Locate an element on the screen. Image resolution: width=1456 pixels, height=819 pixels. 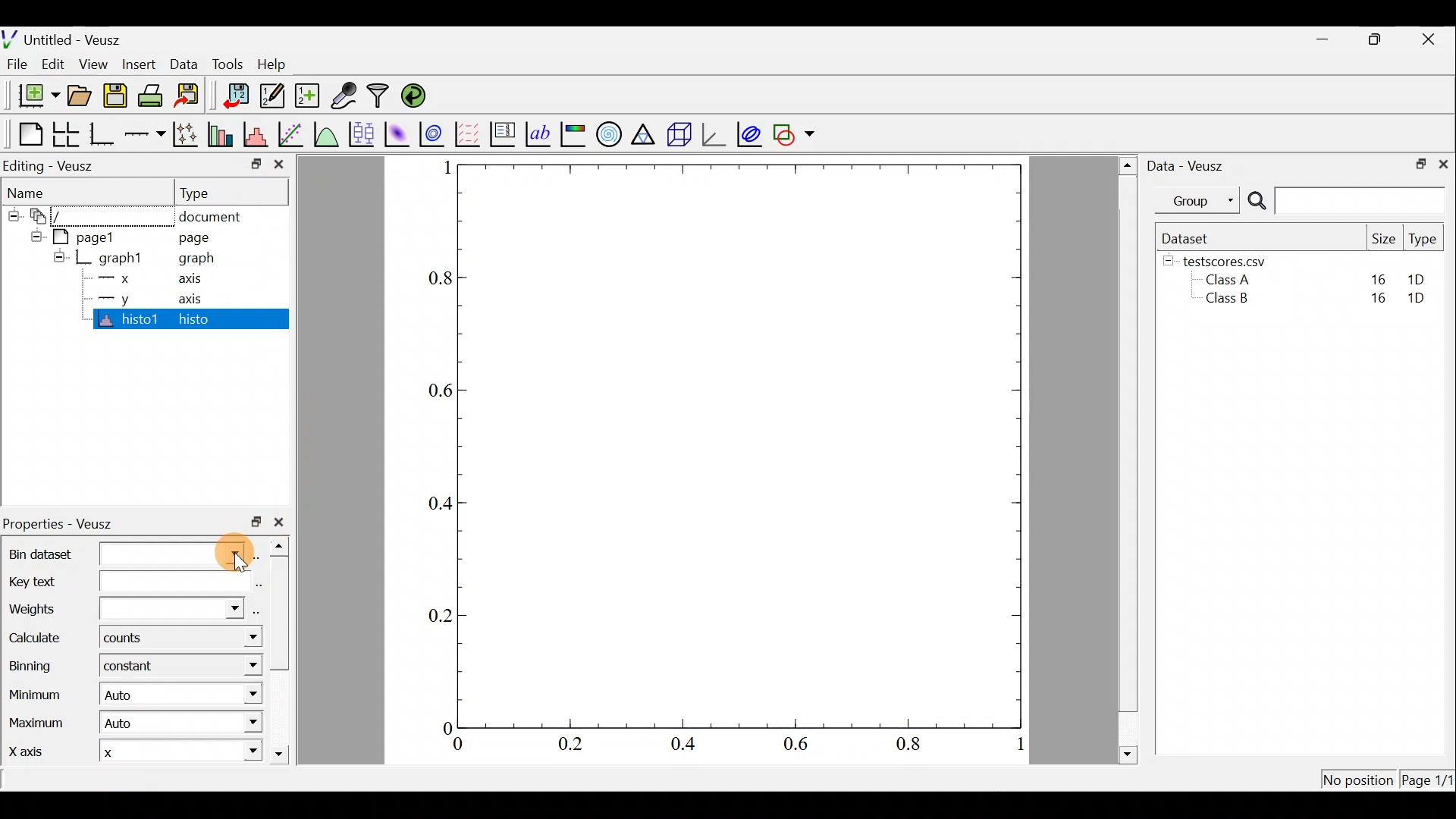
File is located at coordinates (19, 64).